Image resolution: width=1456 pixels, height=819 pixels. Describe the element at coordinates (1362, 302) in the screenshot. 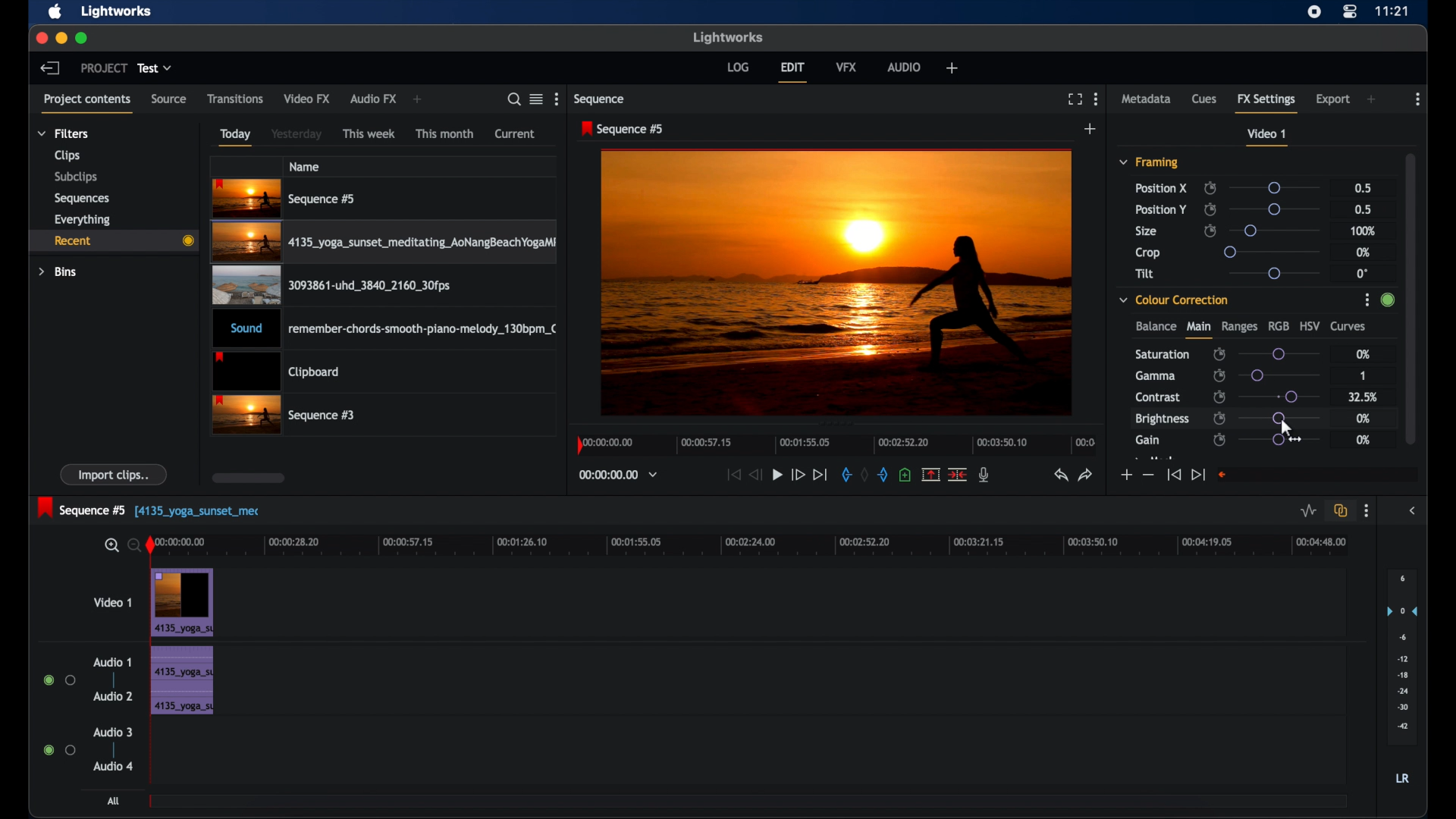

I see `options` at that location.